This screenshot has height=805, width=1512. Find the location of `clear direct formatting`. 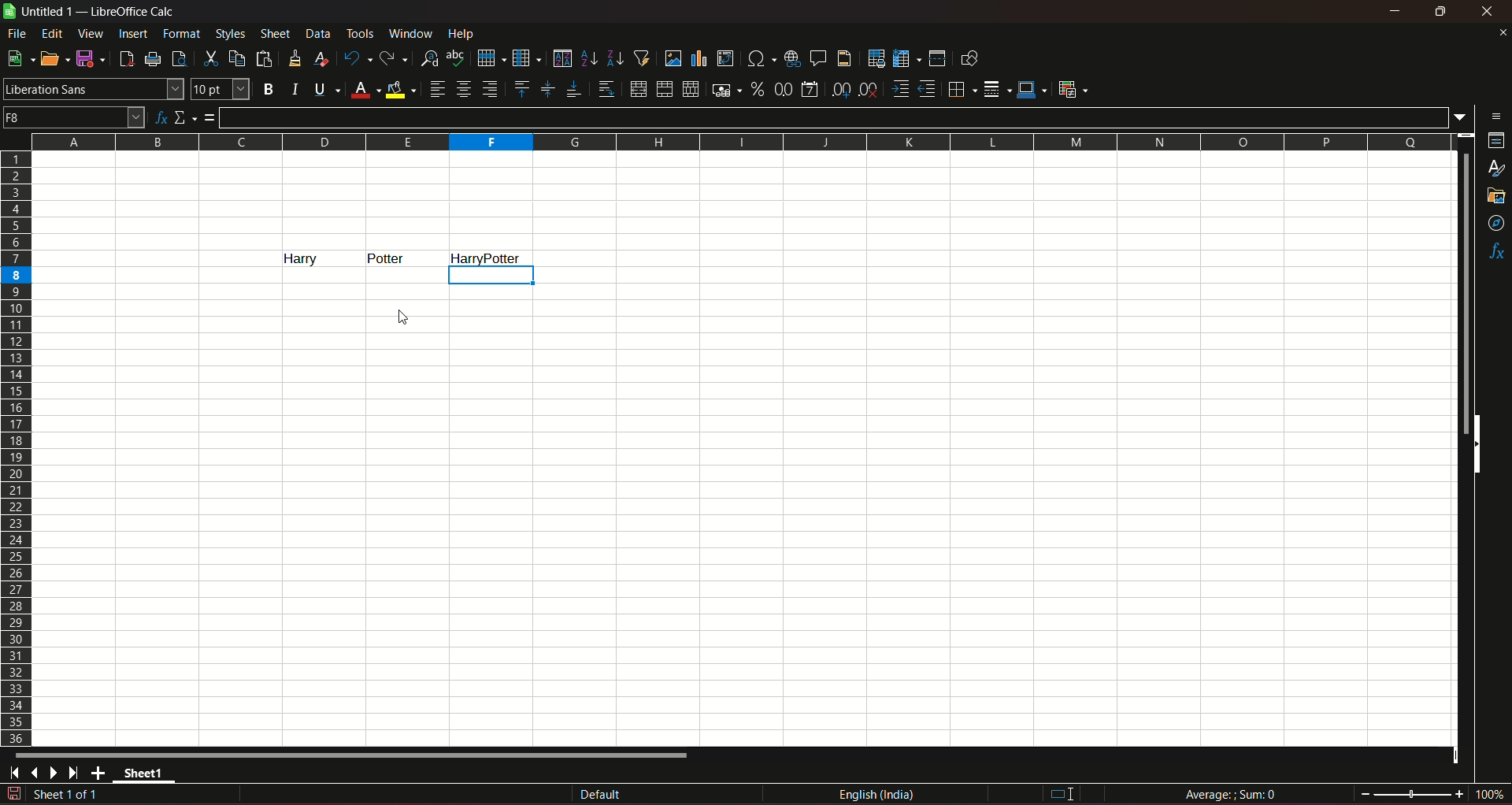

clear direct formatting is located at coordinates (324, 58).